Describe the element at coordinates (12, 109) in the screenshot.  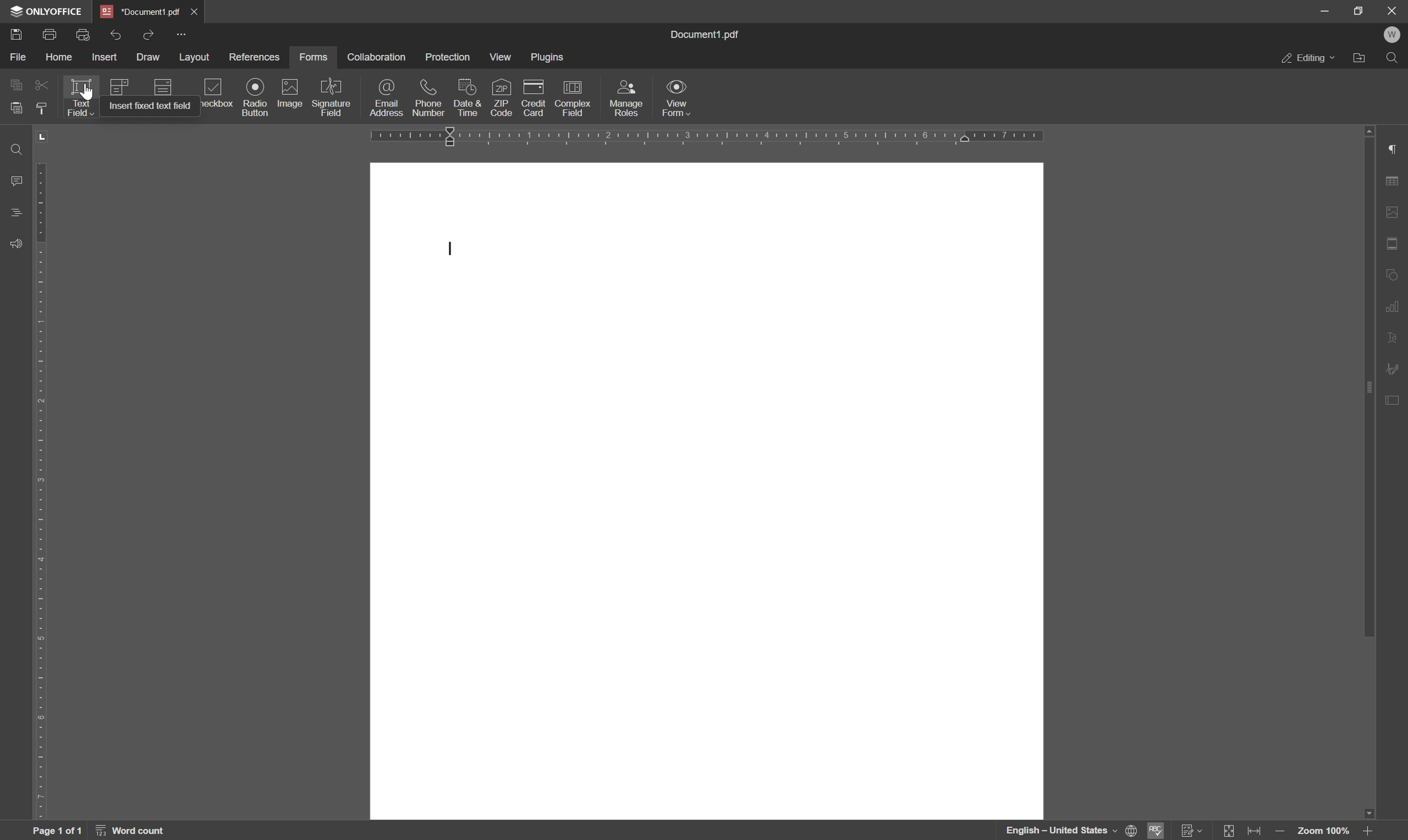
I see `paste` at that location.